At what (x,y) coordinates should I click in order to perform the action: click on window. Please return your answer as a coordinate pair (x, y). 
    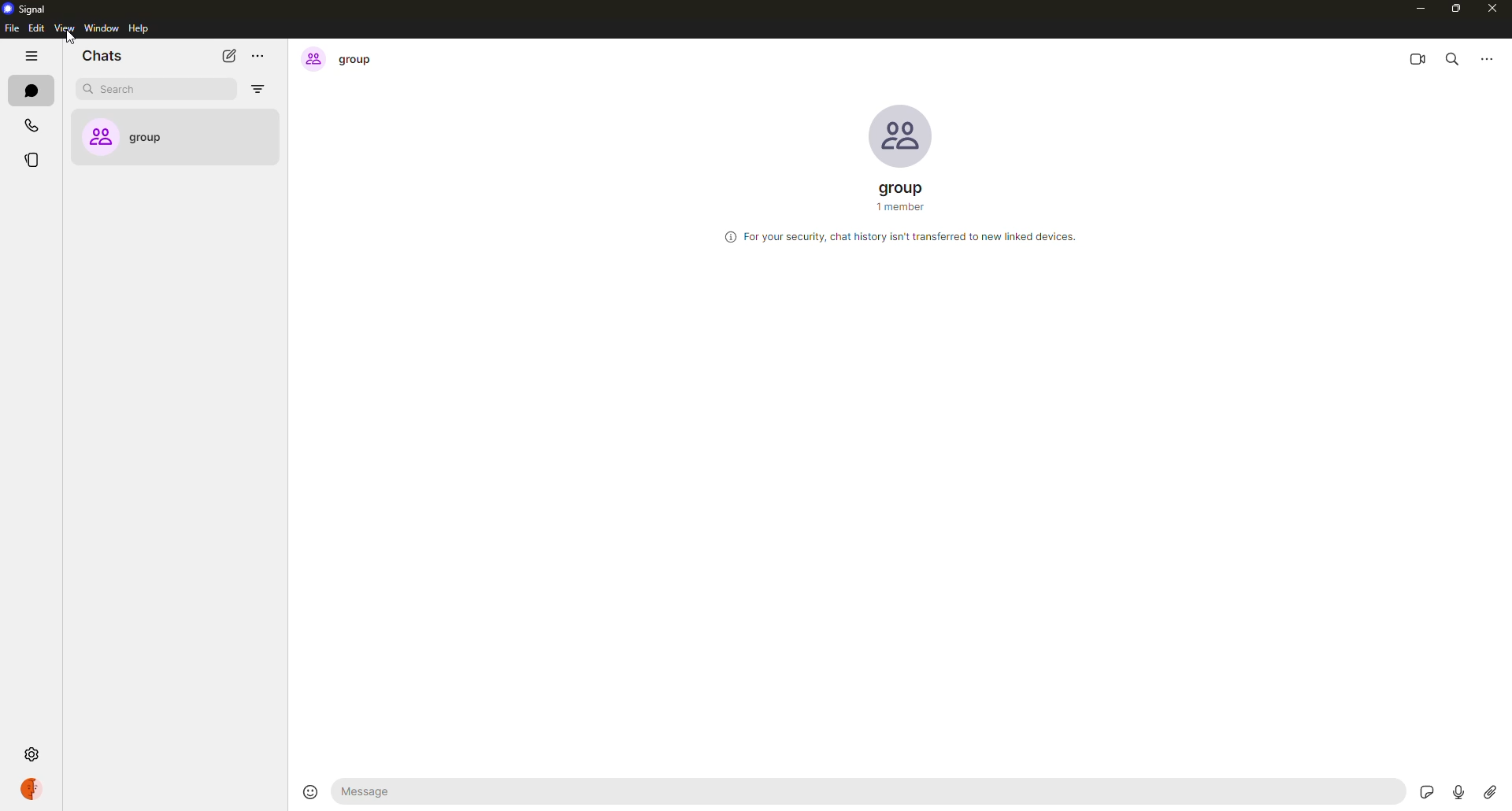
    Looking at the image, I should click on (102, 29).